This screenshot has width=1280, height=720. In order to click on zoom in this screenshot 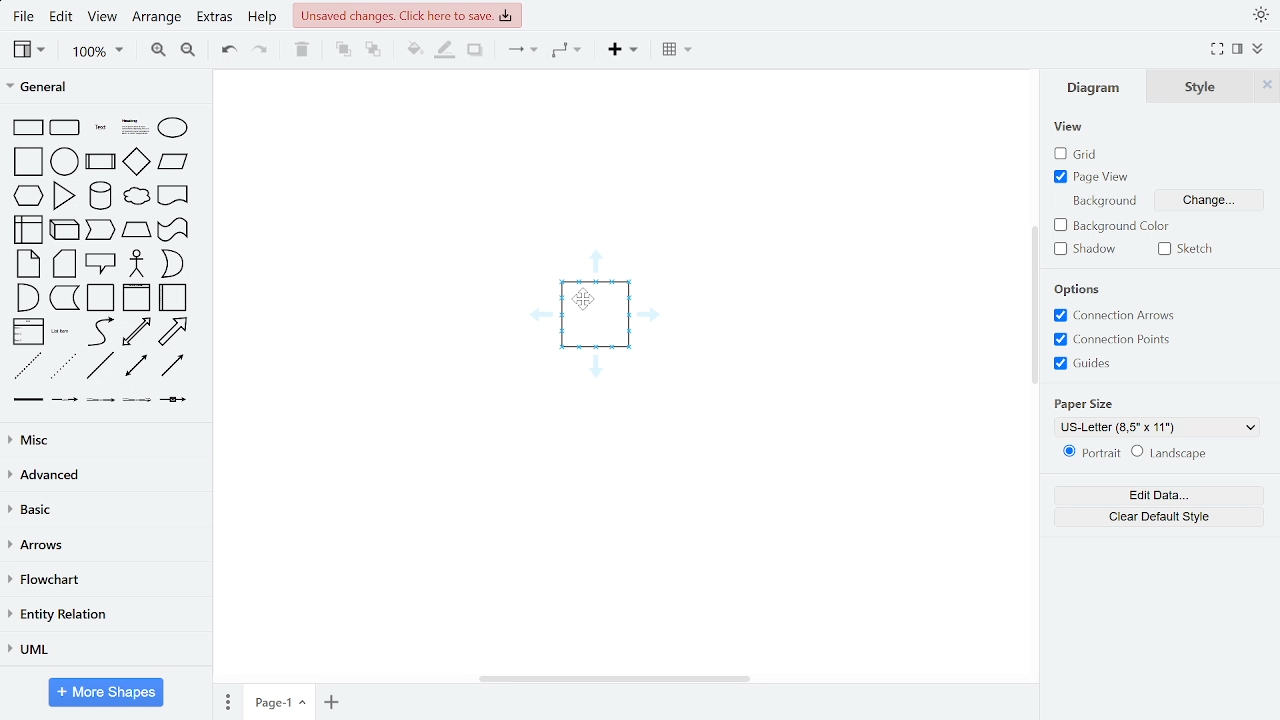, I will do `click(92, 50)`.